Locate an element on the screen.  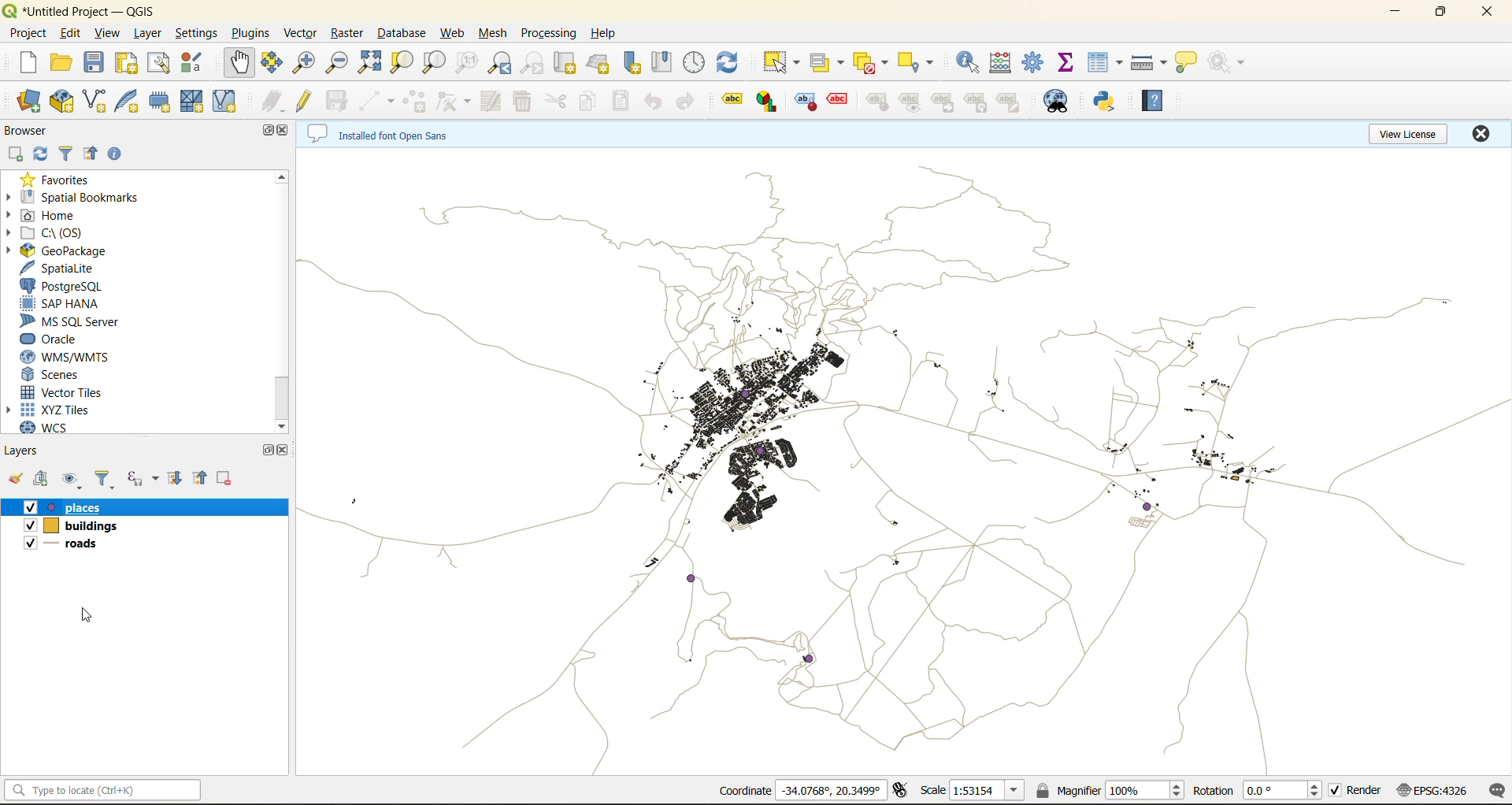
project is located at coordinates (28, 34).